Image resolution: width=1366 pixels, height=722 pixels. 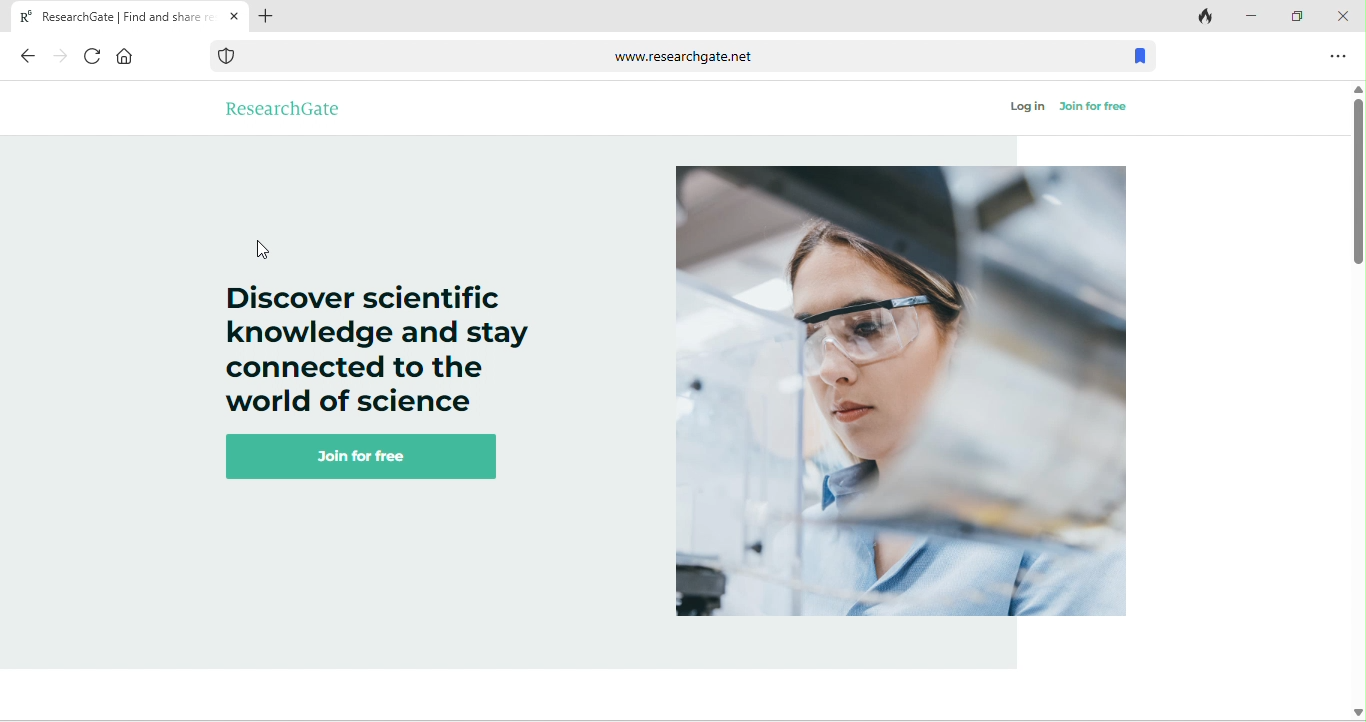 I want to click on option, so click(x=1337, y=56).